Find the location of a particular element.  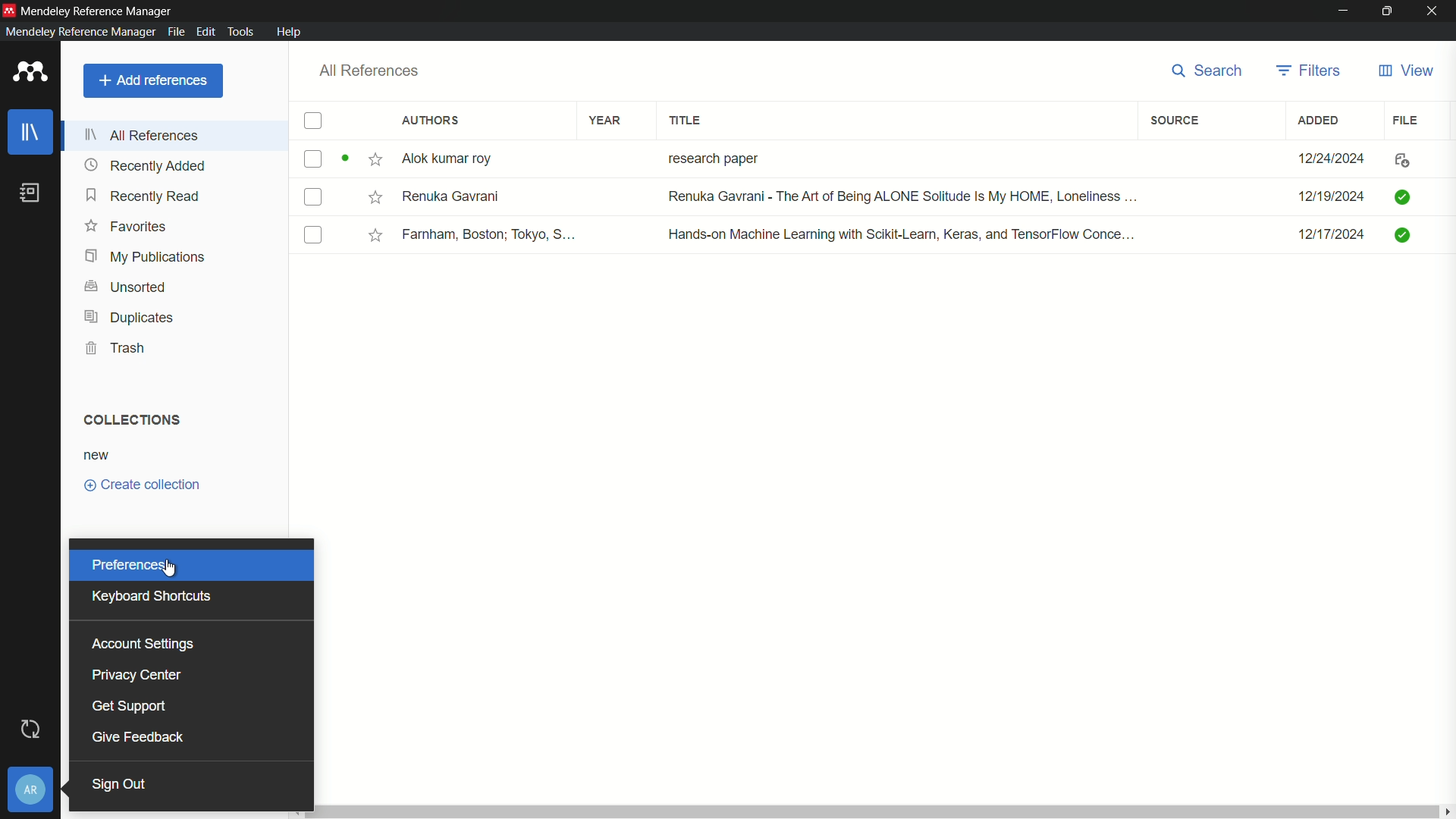

give feedback is located at coordinates (136, 737).